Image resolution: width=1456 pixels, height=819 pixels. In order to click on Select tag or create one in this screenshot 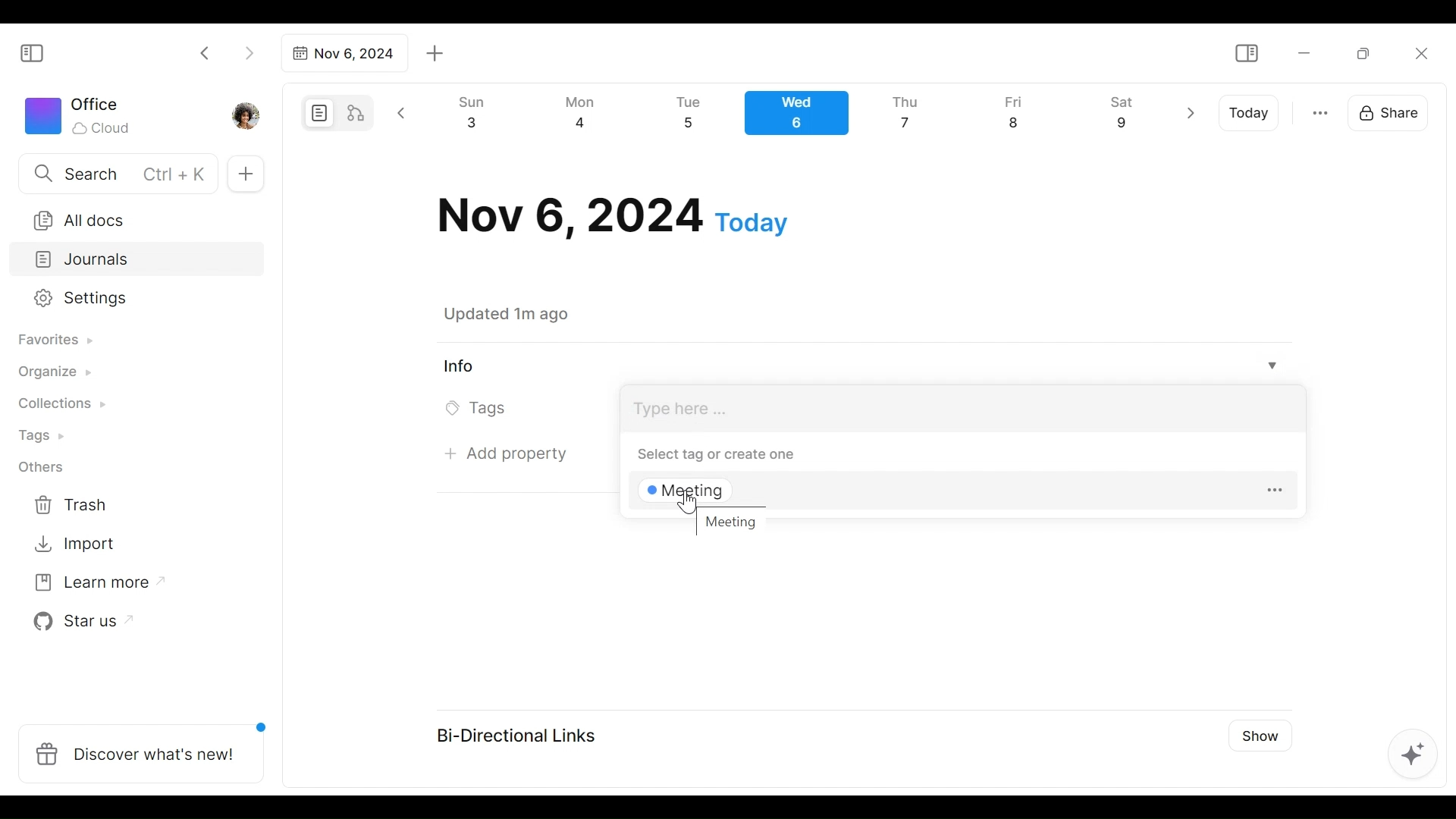, I will do `click(708, 453)`.